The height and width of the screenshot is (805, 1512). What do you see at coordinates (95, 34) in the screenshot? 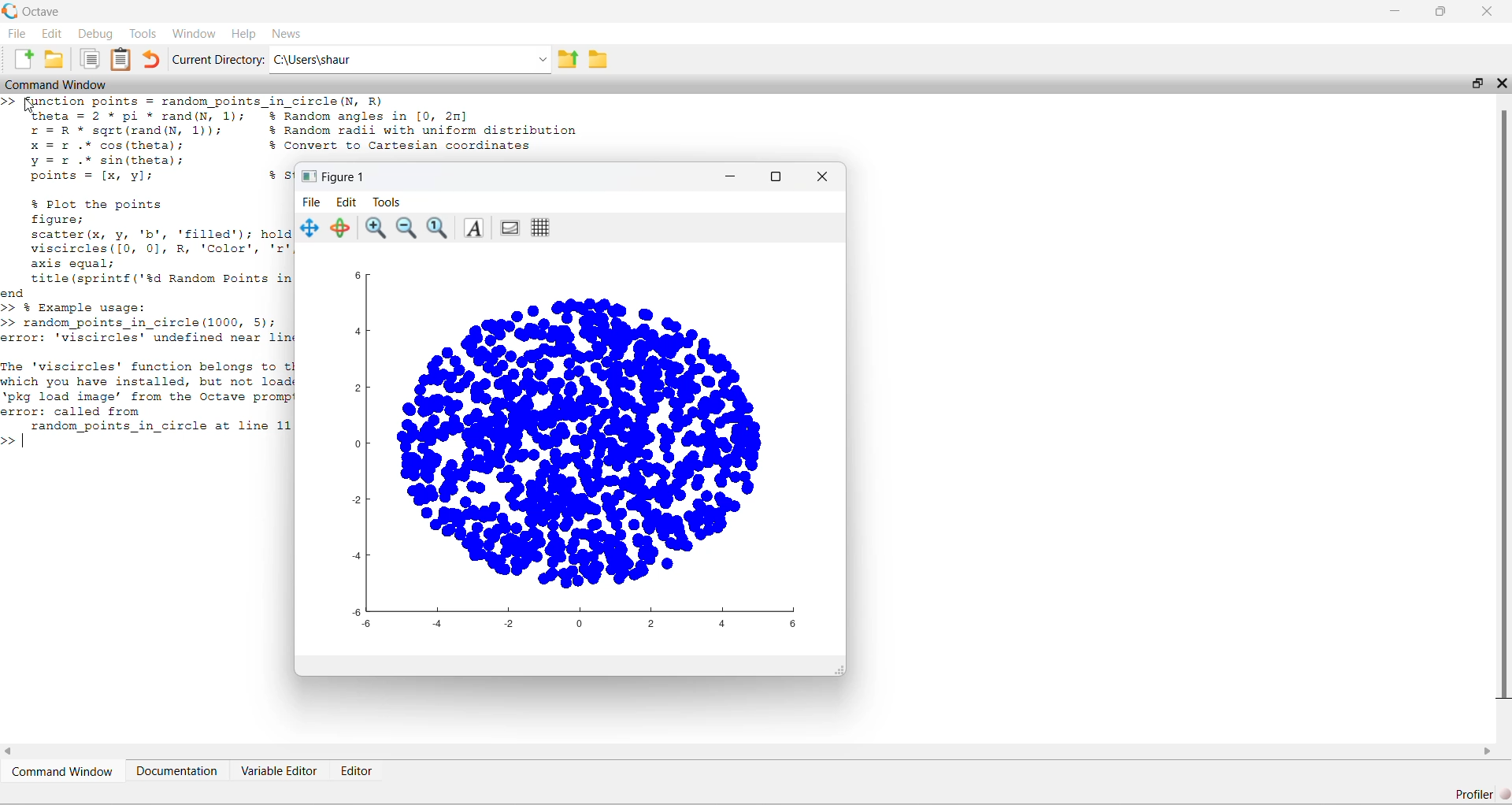
I see `Debug` at bounding box center [95, 34].